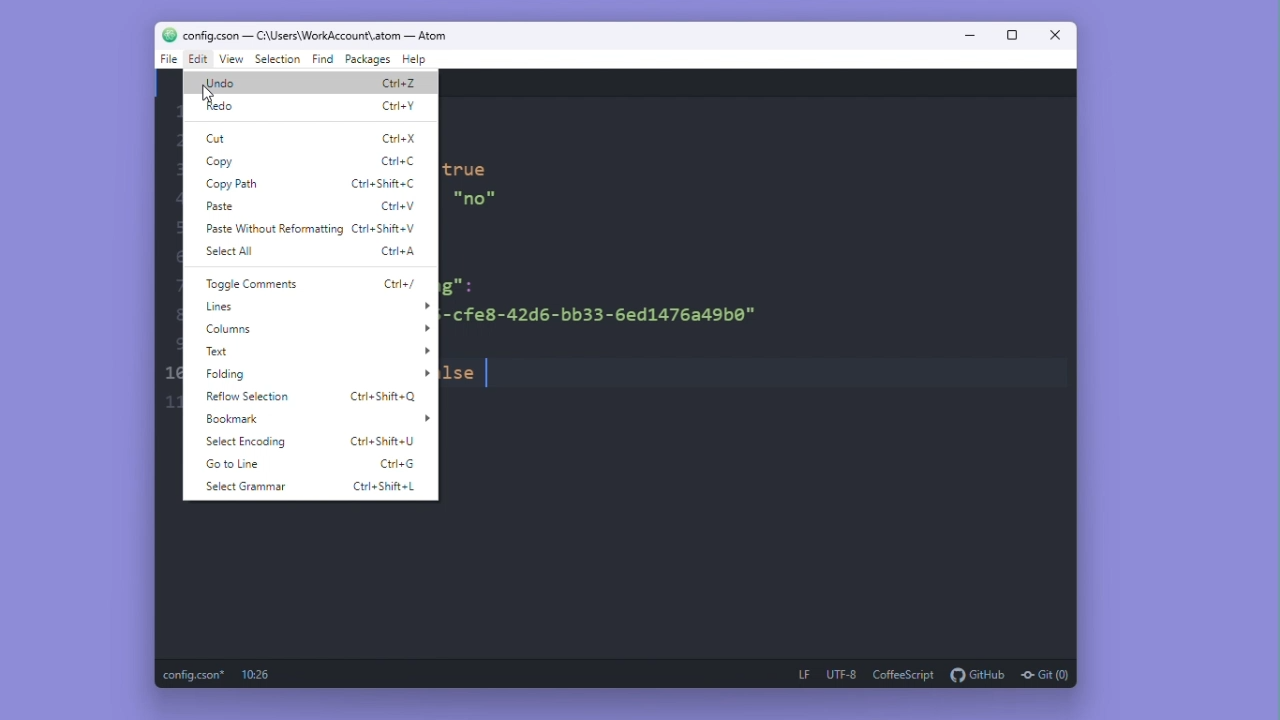 The height and width of the screenshot is (720, 1280). What do you see at coordinates (402, 206) in the screenshot?
I see `ctrl+v` at bounding box center [402, 206].